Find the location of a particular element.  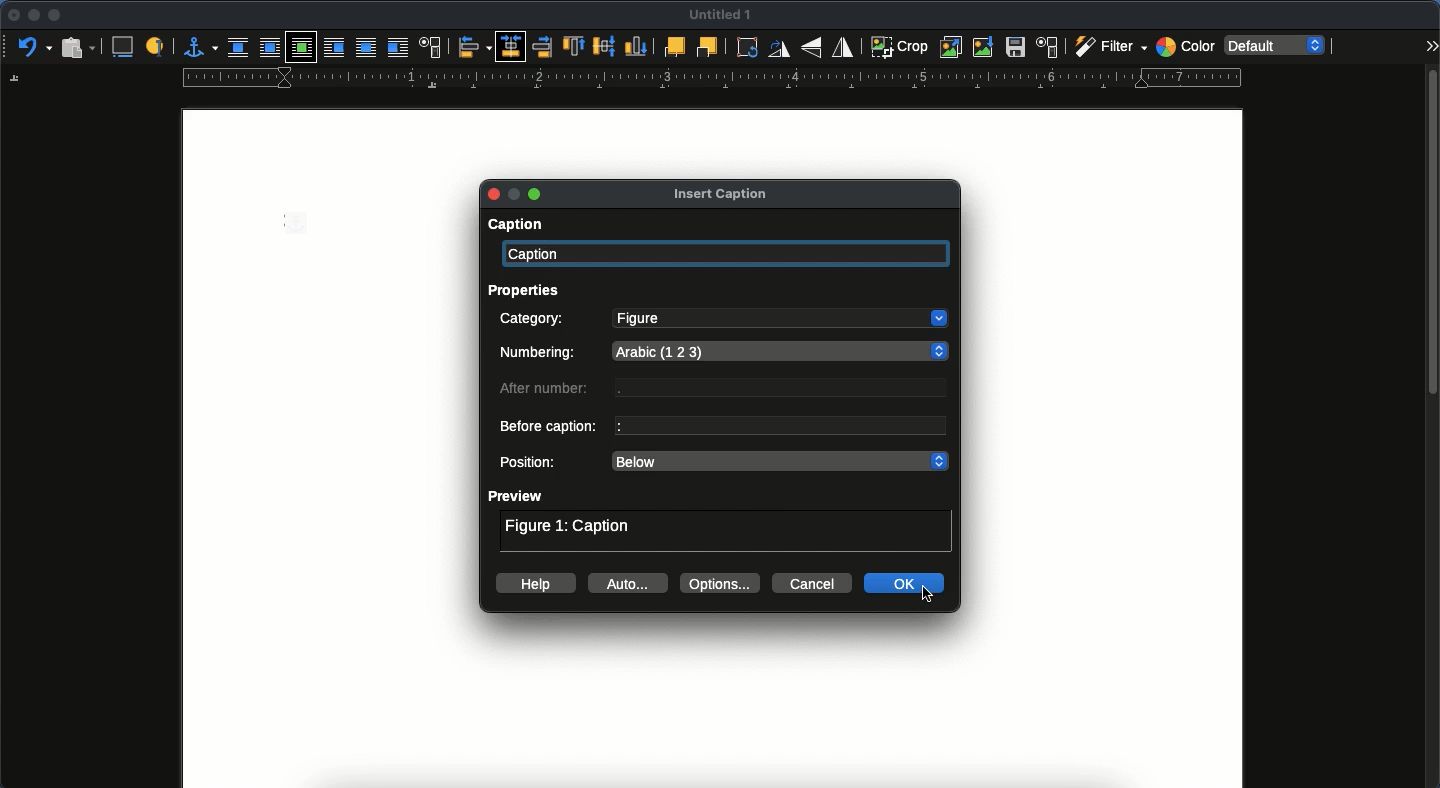

insert caption is located at coordinates (123, 47).